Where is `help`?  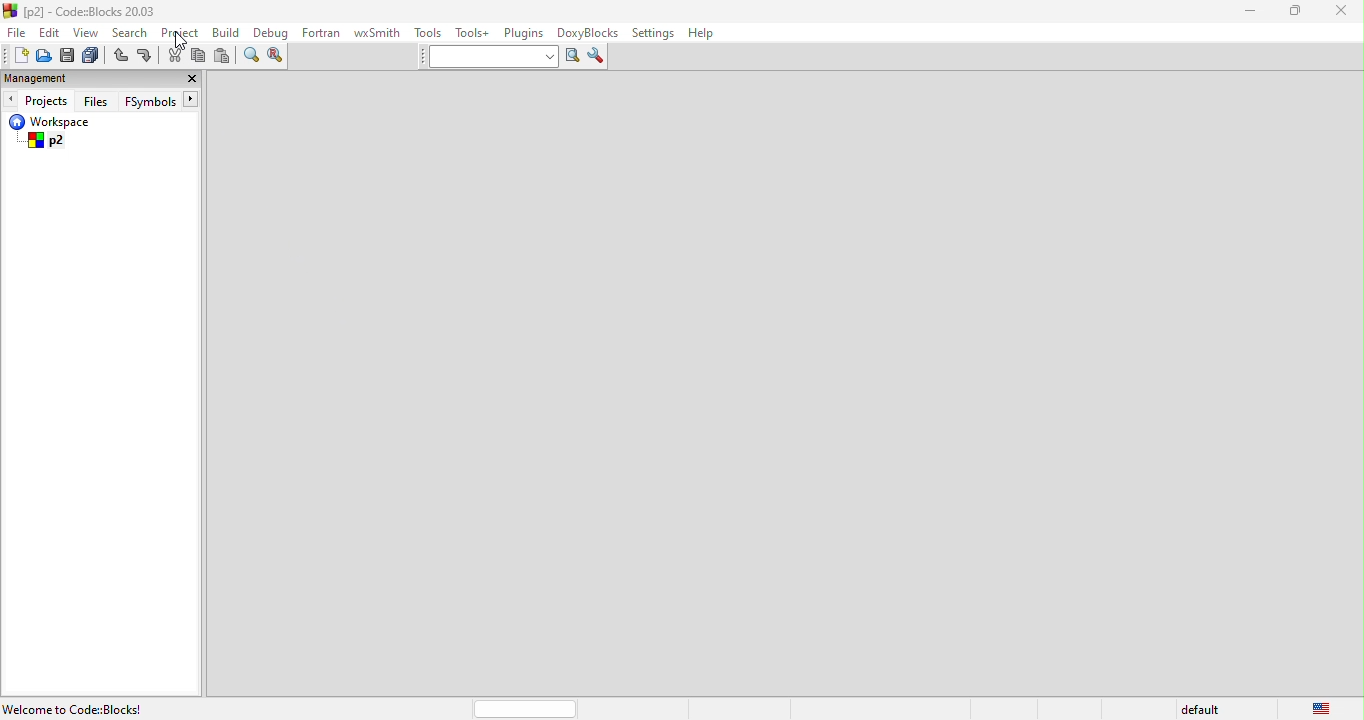
help is located at coordinates (701, 35).